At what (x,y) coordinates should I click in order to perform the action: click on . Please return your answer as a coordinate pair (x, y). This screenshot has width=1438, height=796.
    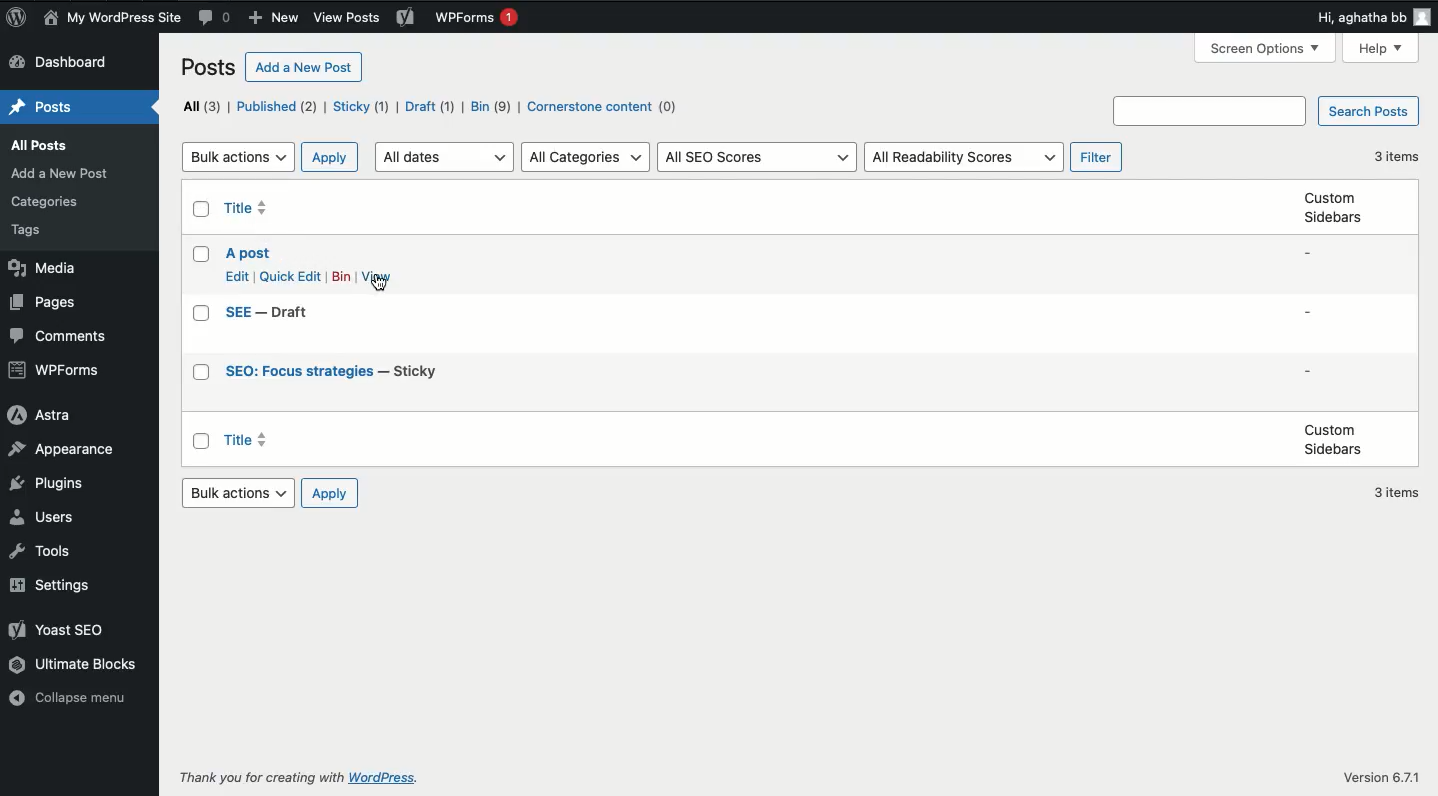
    Looking at the image, I should click on (1381, 49).